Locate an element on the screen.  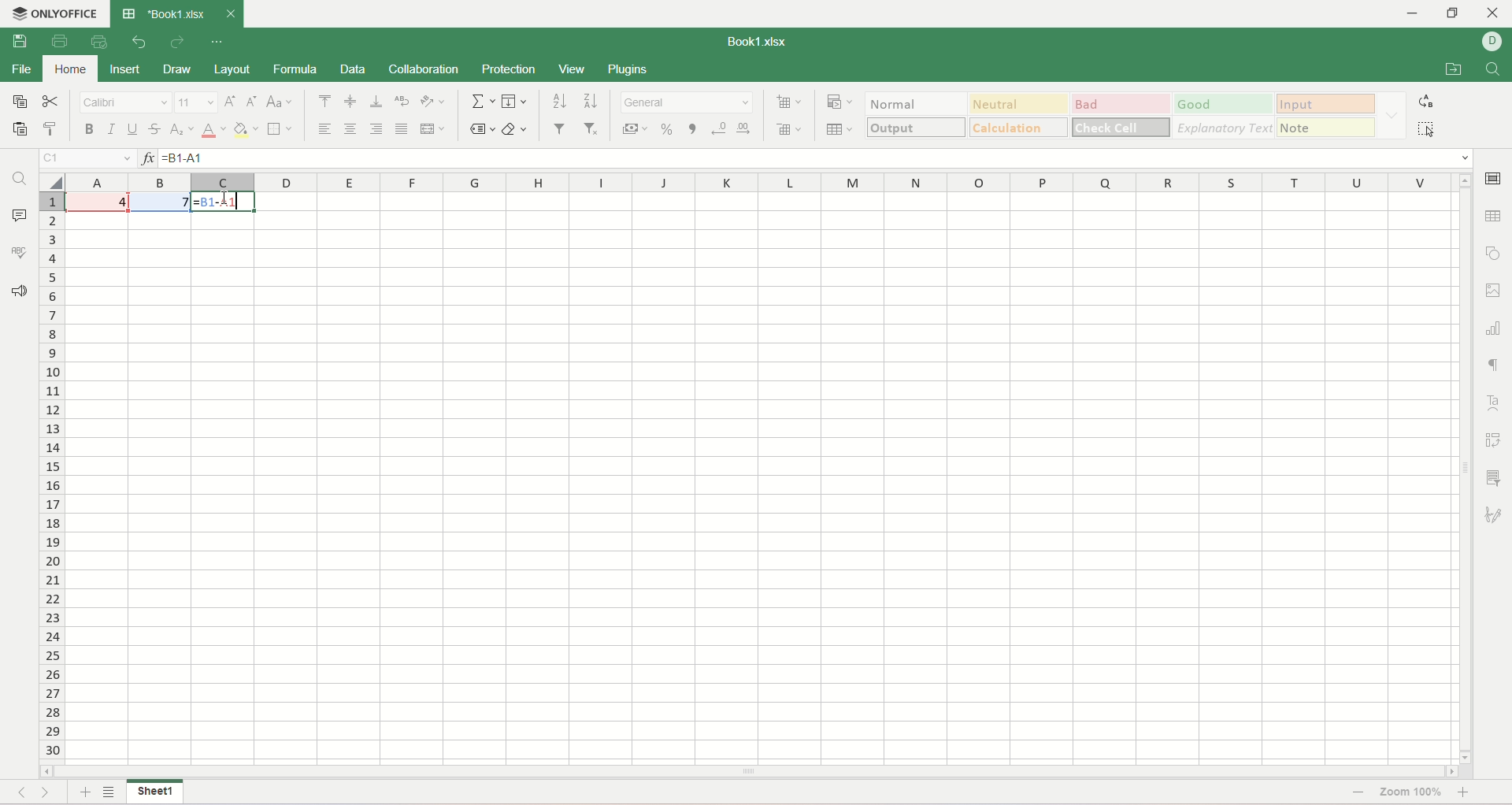
sort ascending is located at coordinates (558, 101).